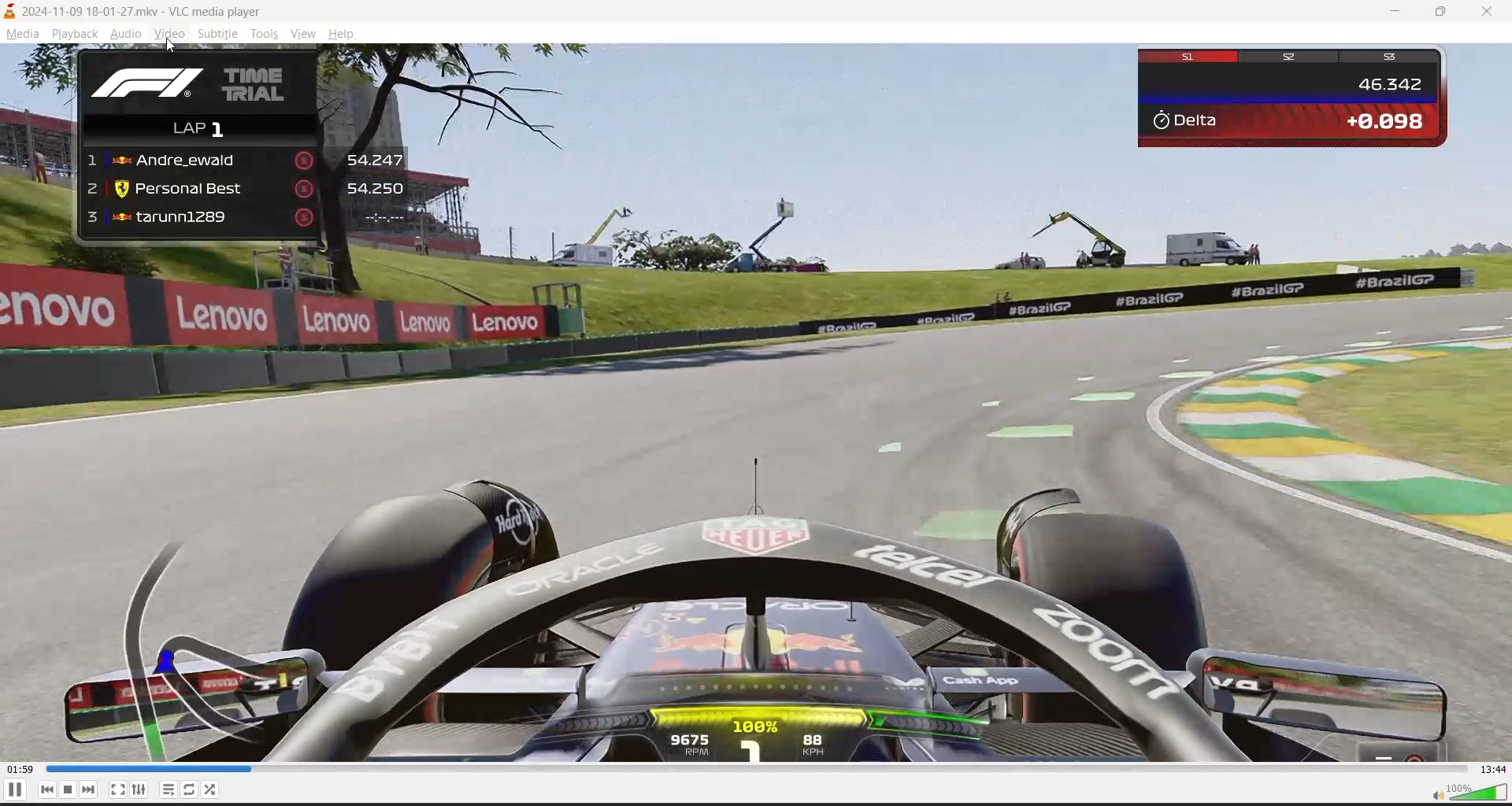  I want to click on maximize, so click(1444, 13).